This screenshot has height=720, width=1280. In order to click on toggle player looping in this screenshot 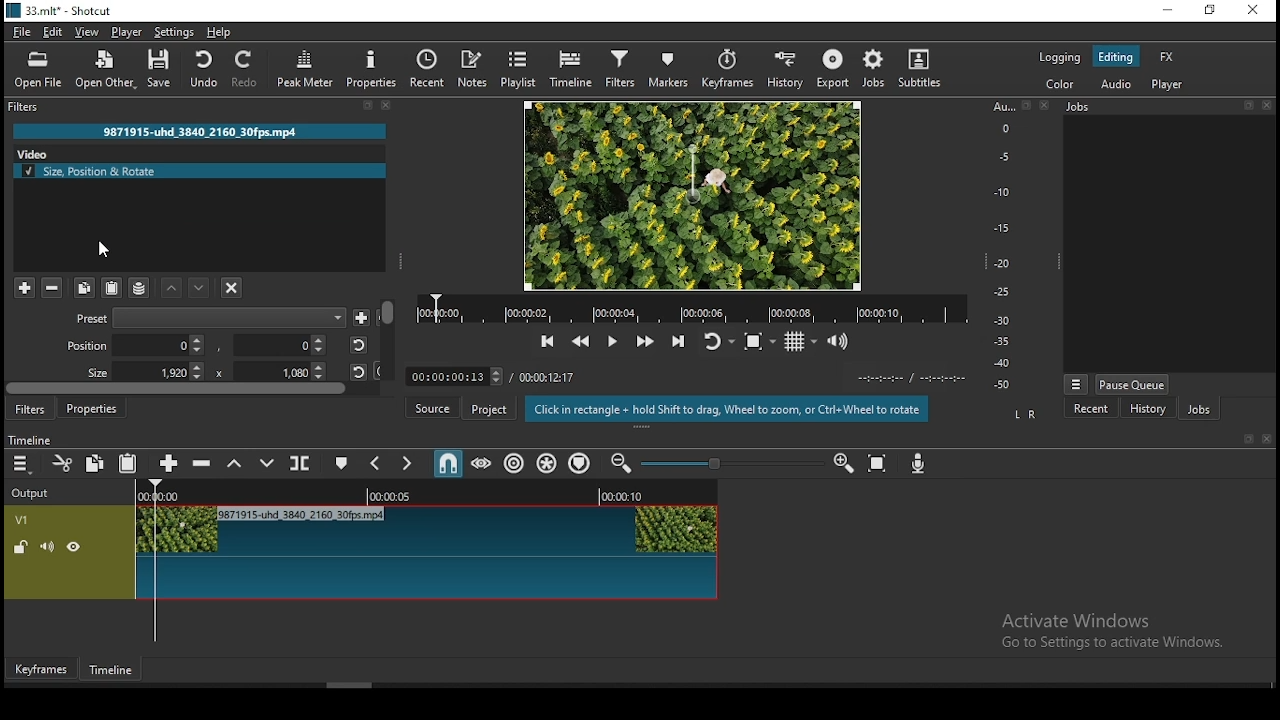, I will do `click(712, 342)`.